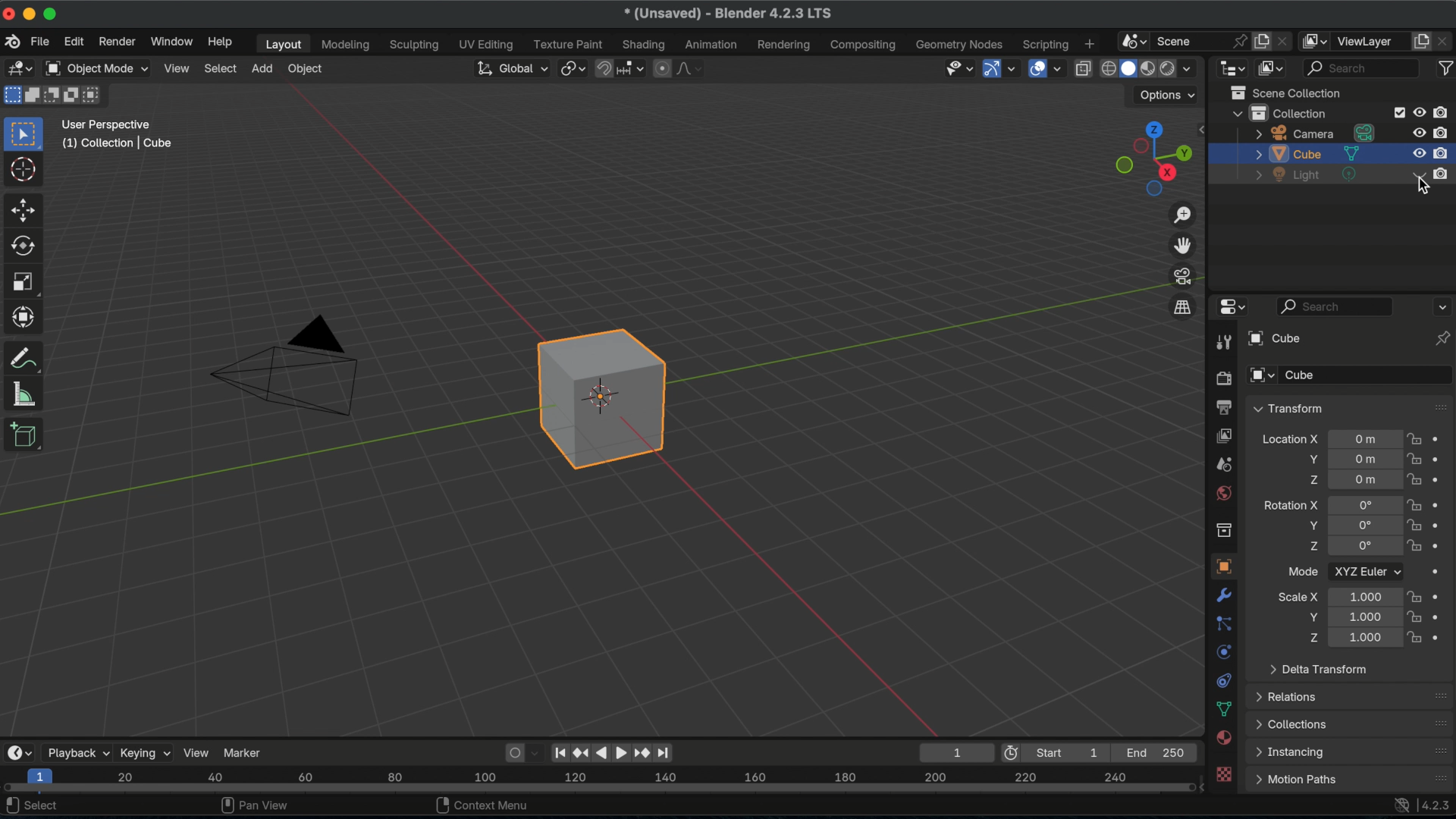  I want to click on delta transform , so click(1320, 670).